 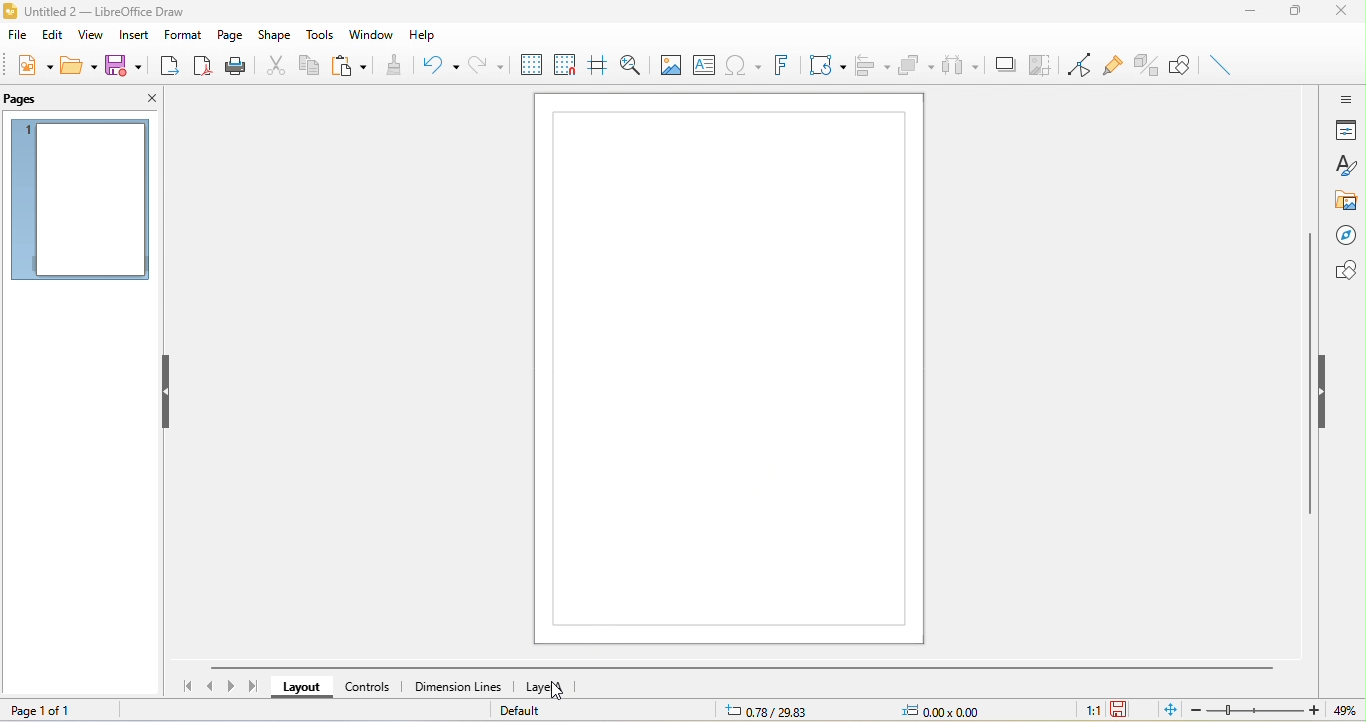 What do you see at coordinates (1112, 66) in the screenshot?
I see `gluepoint function` at bounding box center [1112, 66].